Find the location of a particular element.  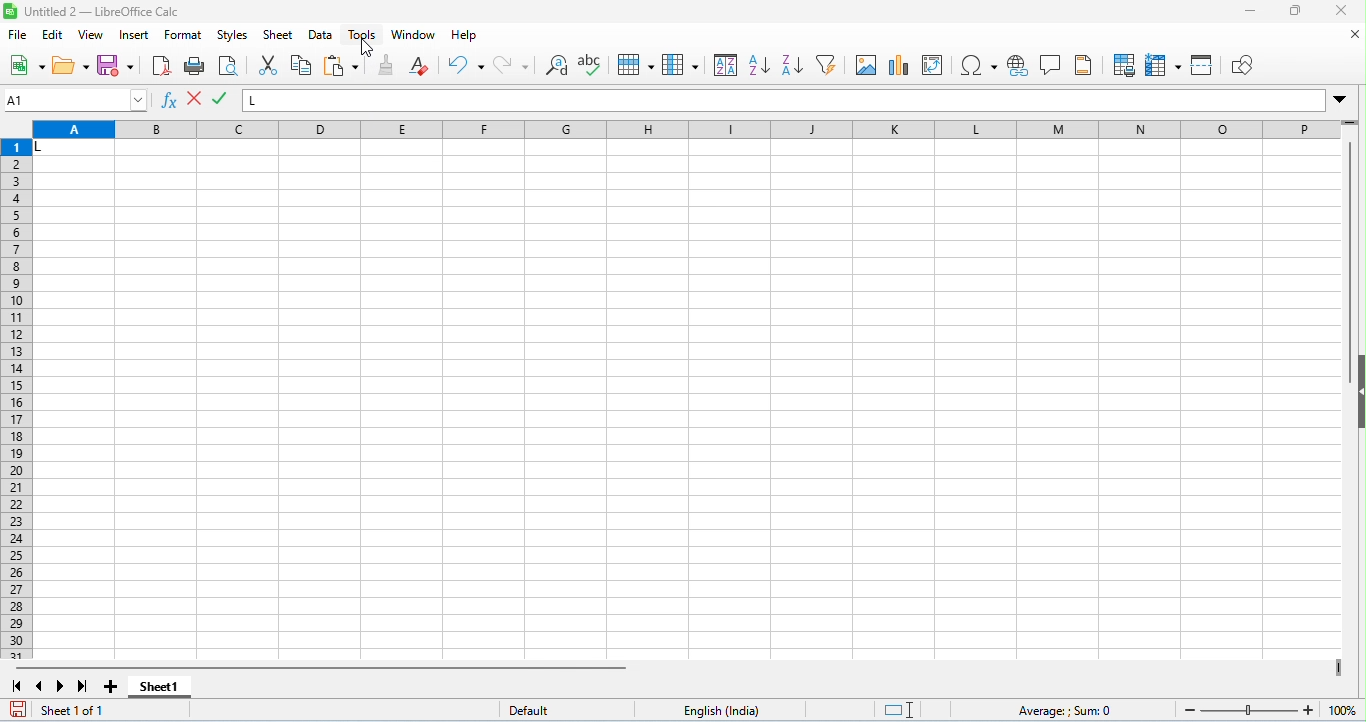

close is located at coordinates (1339, 11).